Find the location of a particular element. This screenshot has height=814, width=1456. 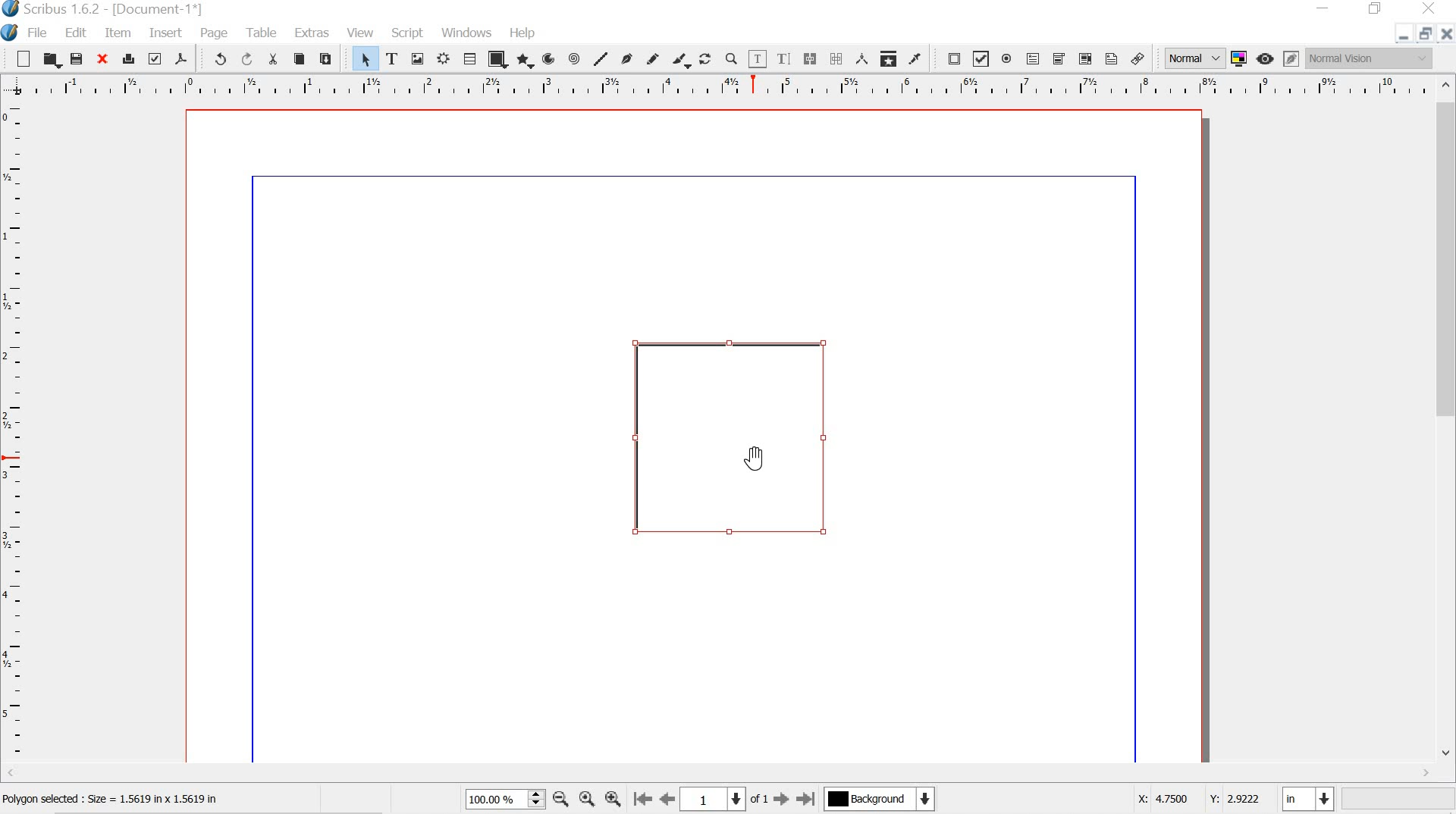

zoom to is located at coordinates (588, 800).